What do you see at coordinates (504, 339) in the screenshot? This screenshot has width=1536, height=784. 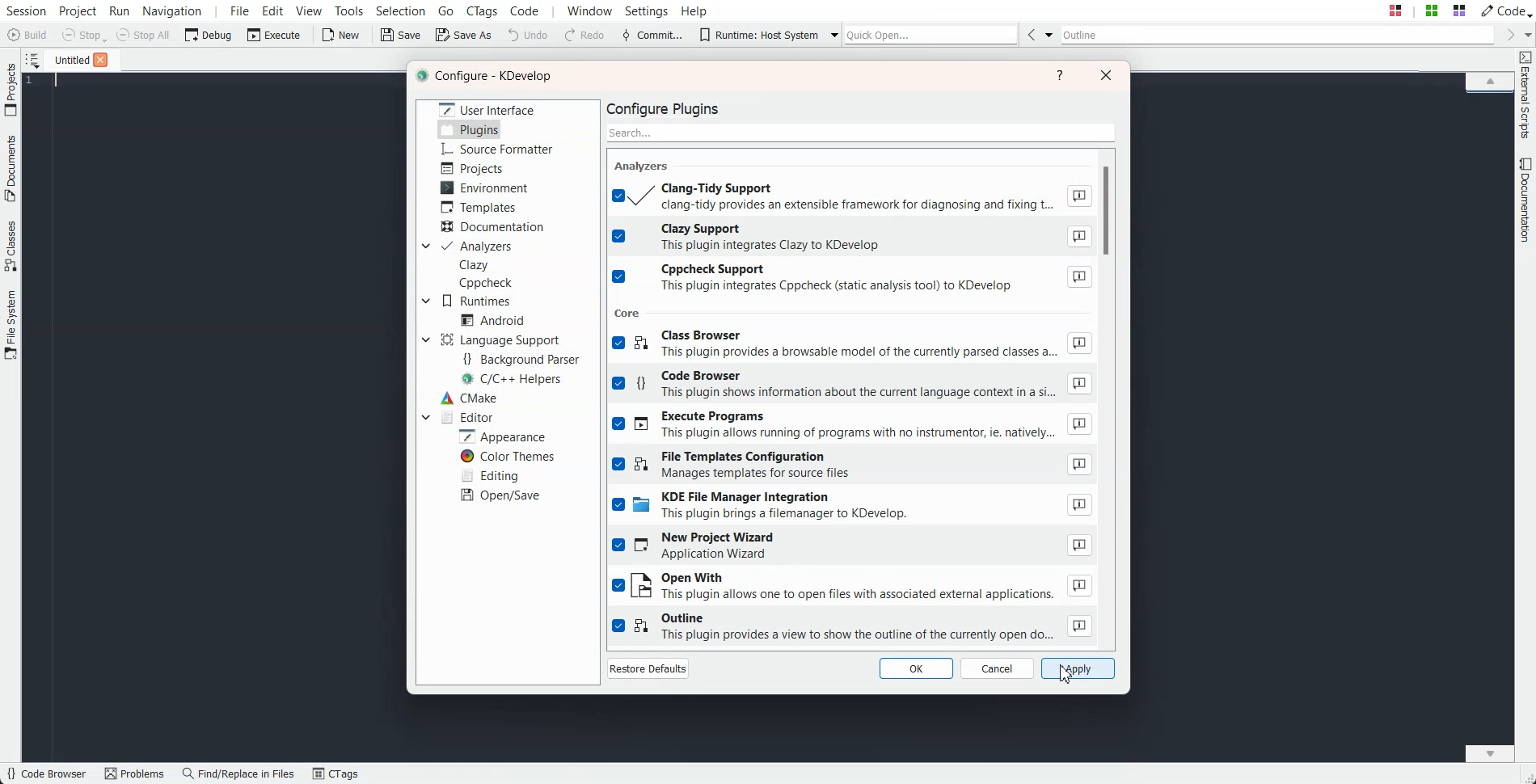 I see `Language Support` at bounding box center [504, 339].